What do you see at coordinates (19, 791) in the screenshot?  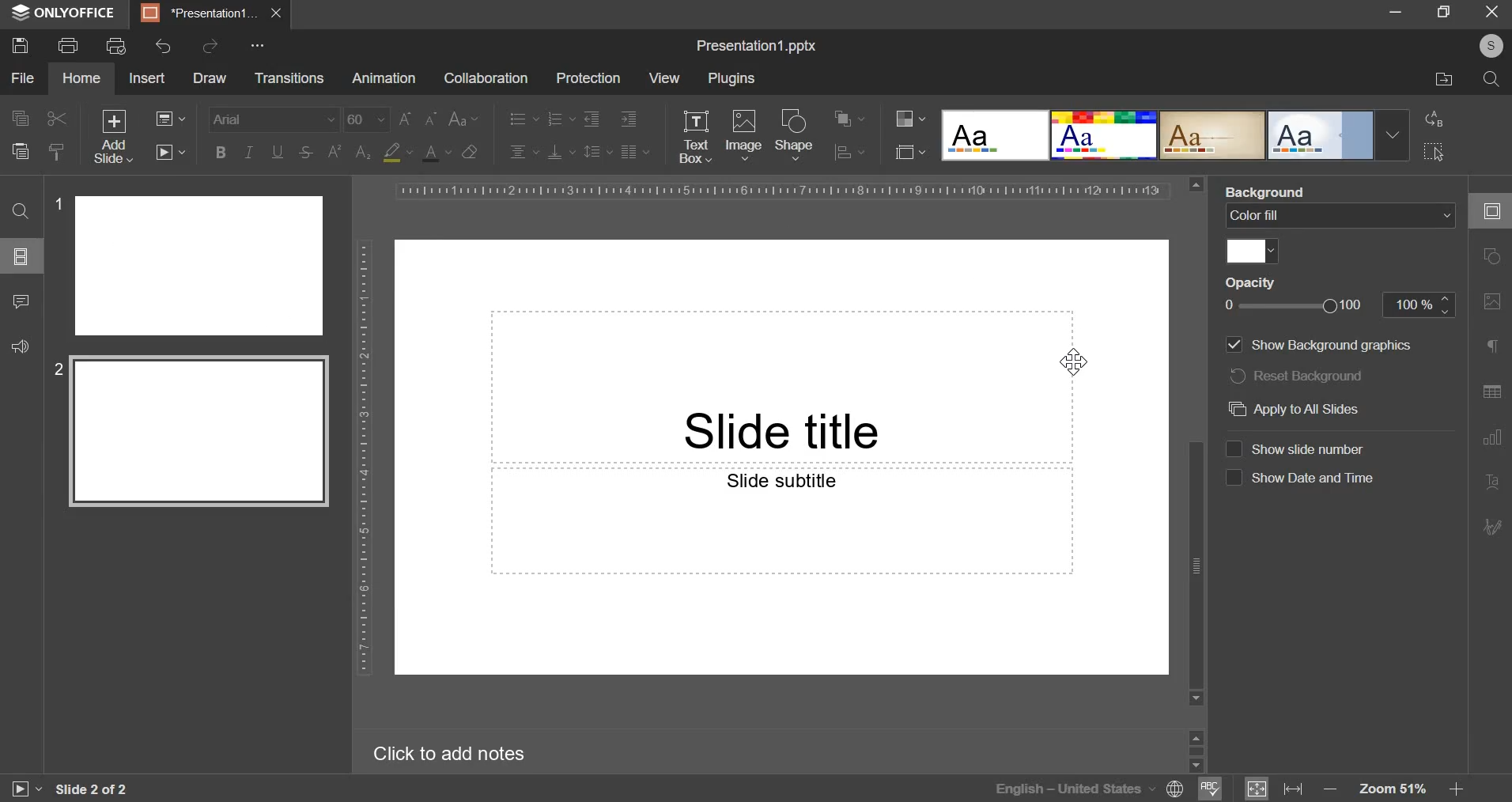 I see `start slide show` at bounding box center [19, 791].